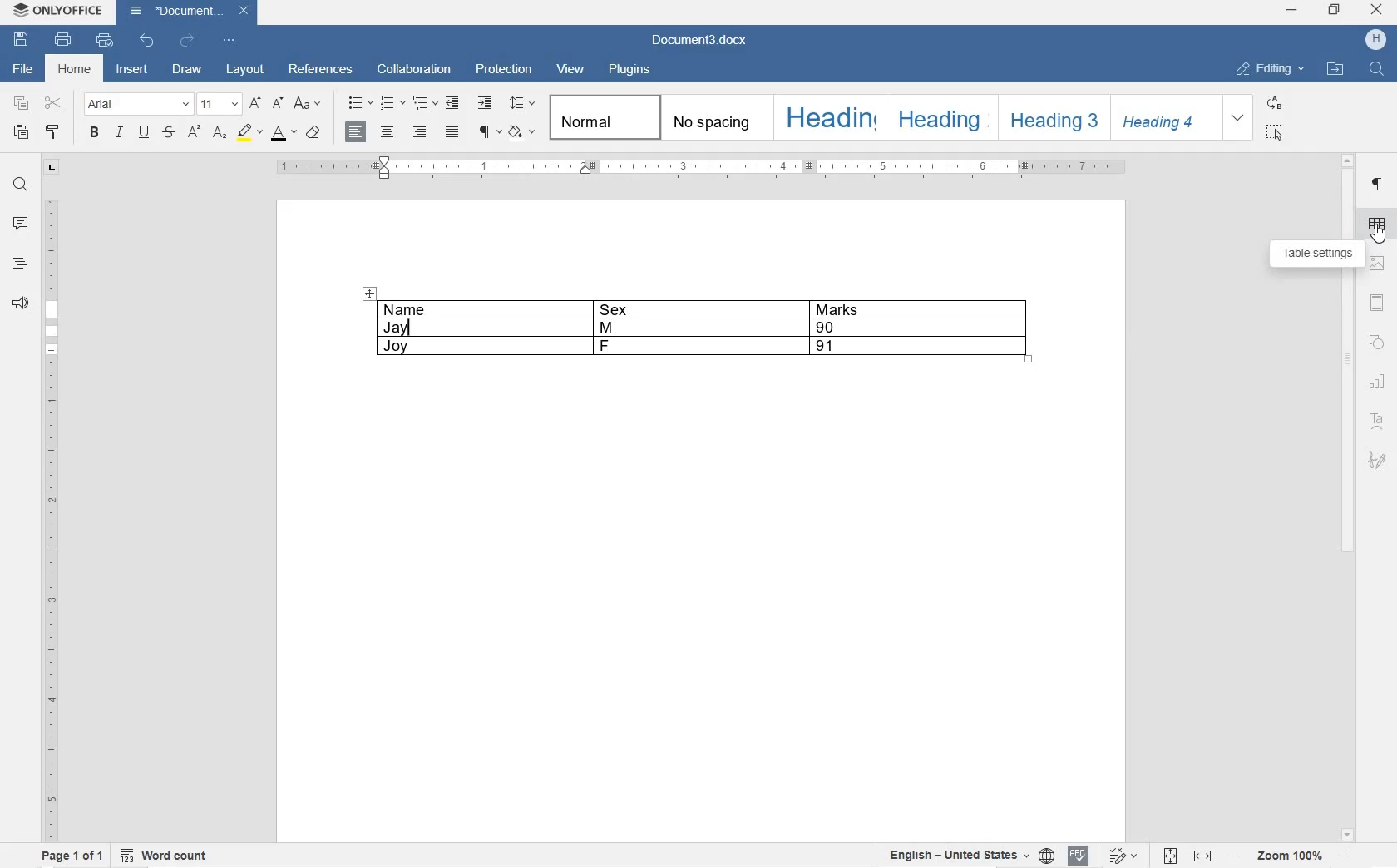 The width and height of the screenshot is (1397, 868). What do you see at coordinates (631, 70) in the screenshot?
I see `PLUGINS` at bounding box center [631, 70].